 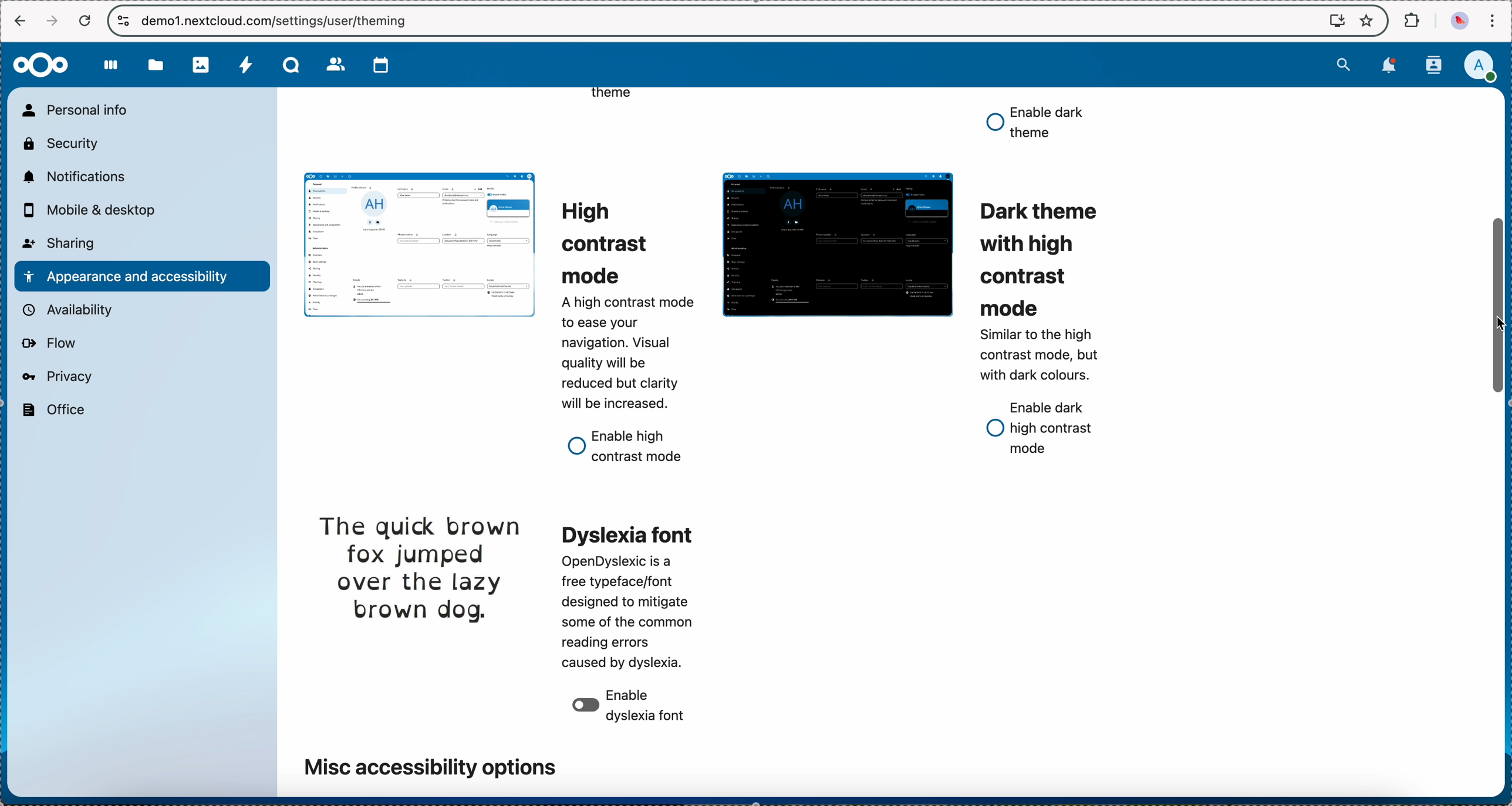 I want to click on navigate foward, so click(x=53, y=20).